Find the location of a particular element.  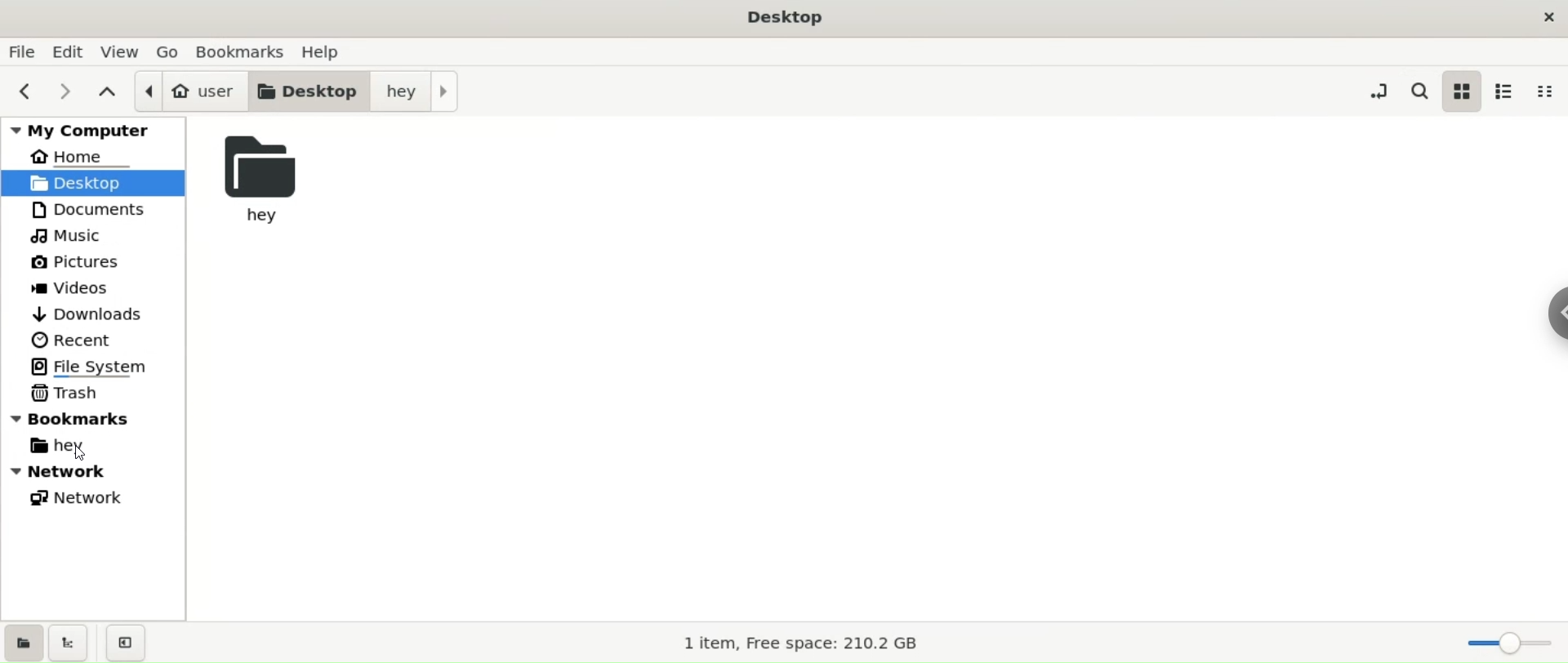

compact view is located at coordinates (1548, 93).